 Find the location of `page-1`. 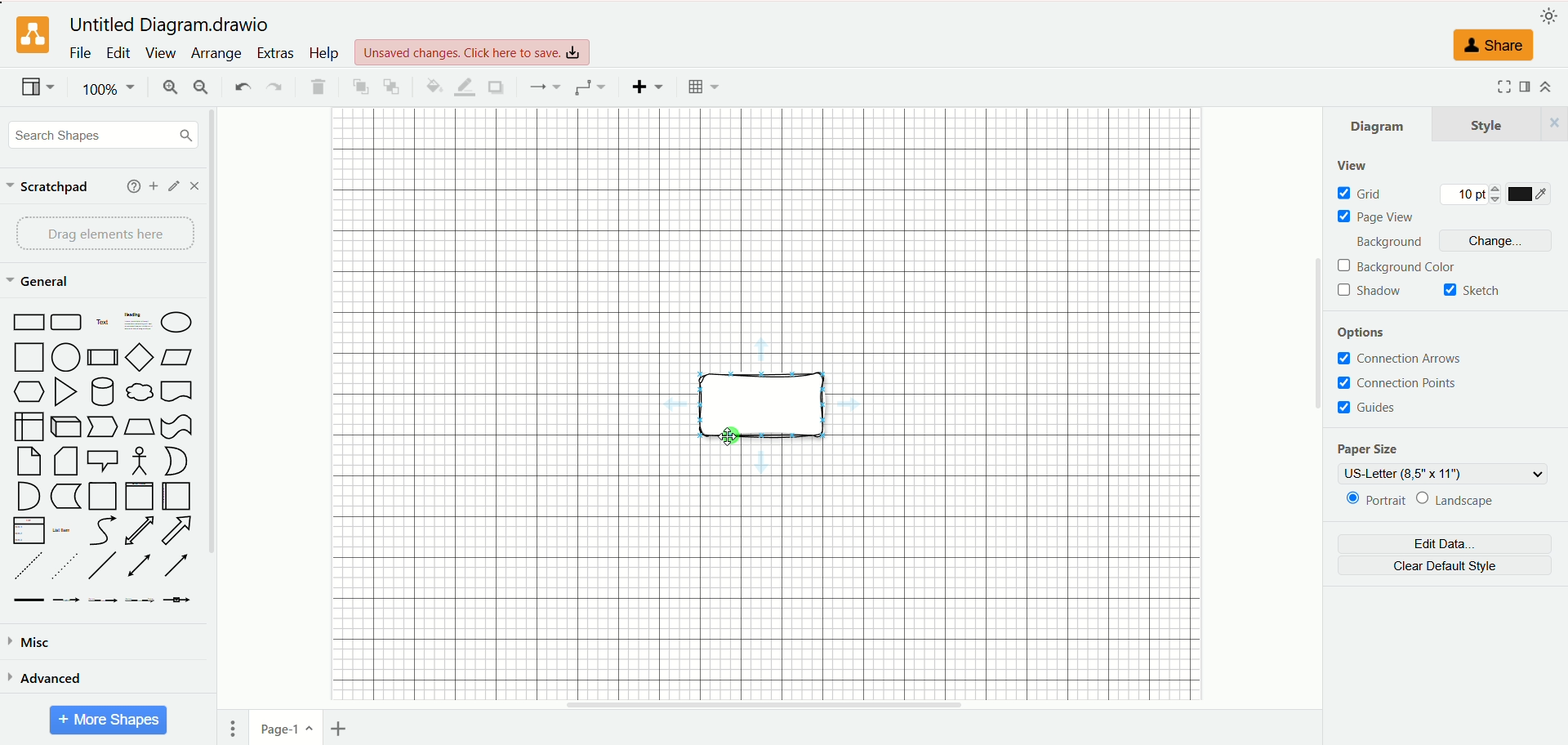

page-1 is located at coordinates (287, 726).